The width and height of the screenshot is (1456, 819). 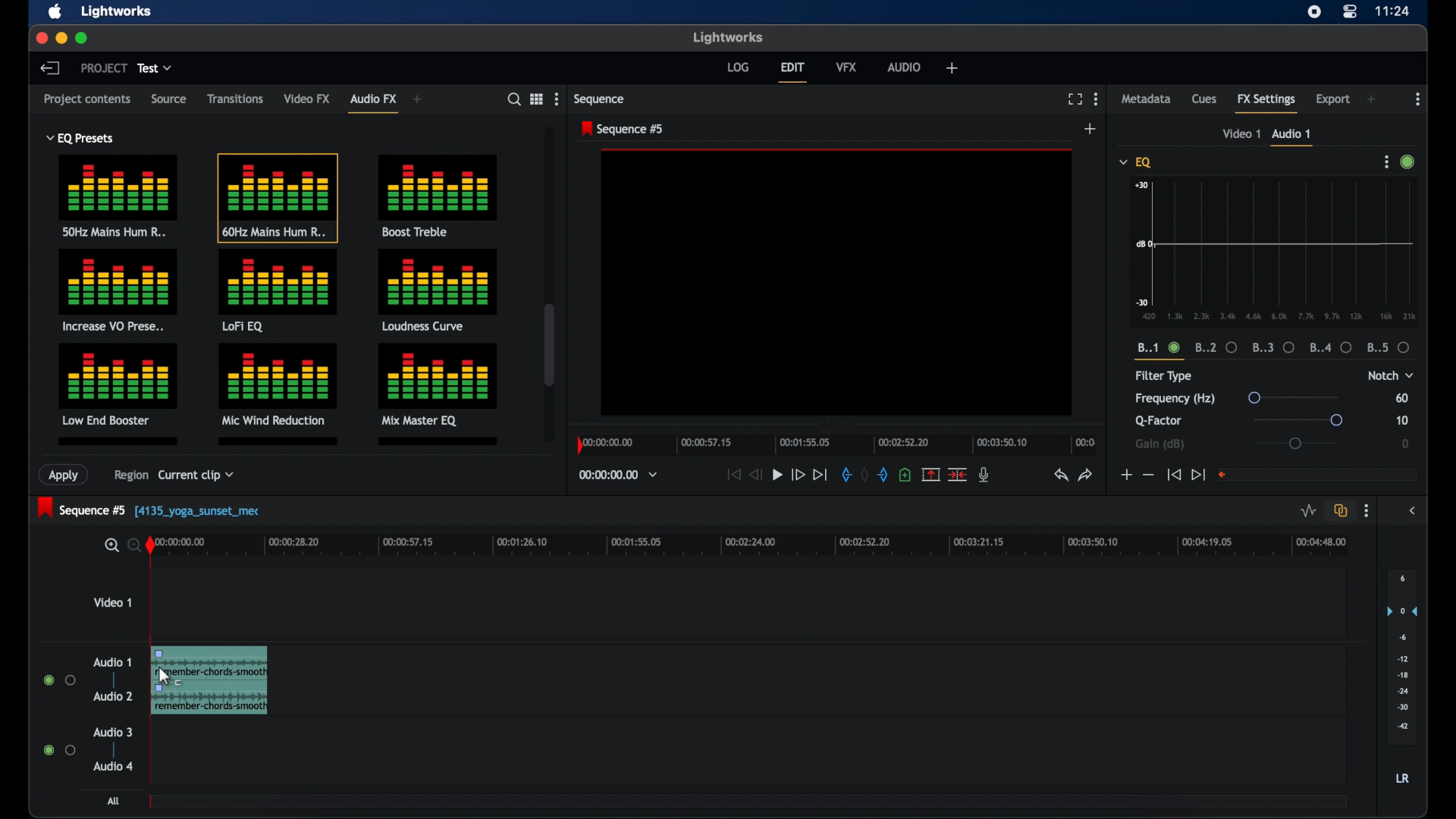 What do you see at coordinates (436, 383) in the screenshot?
I see `mix master eq` at bounding box center [436, 383].